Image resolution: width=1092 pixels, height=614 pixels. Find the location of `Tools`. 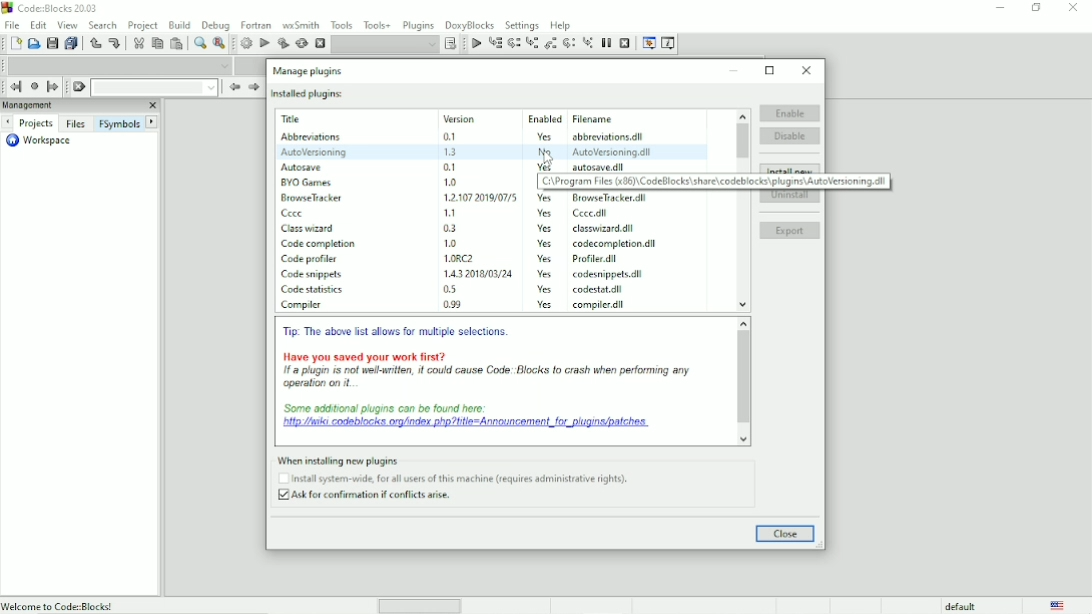

Tools is located at coordinates (340, 24).